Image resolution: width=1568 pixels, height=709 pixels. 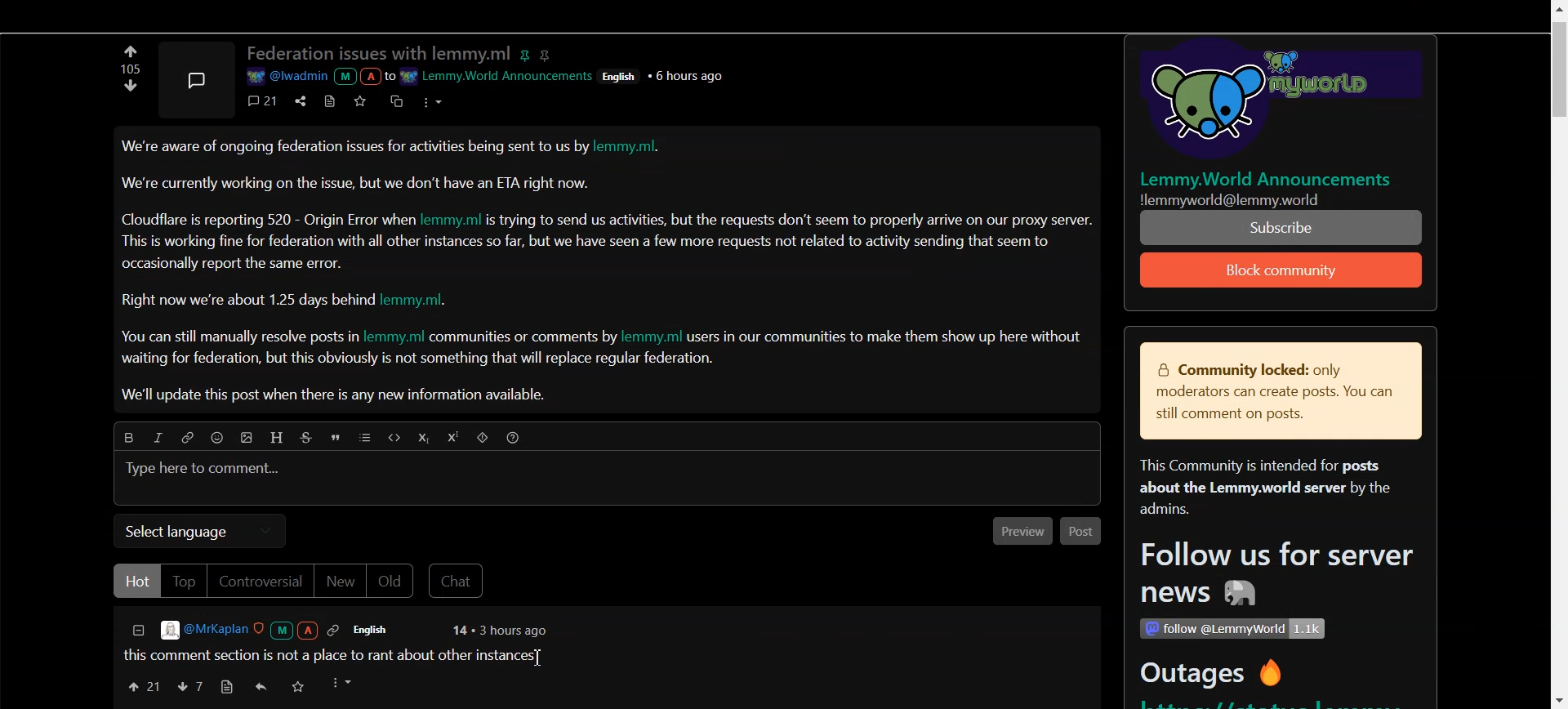 What do you see at coordinates (250, 439) in the screenshot?
I see `Upload picture` at bounding box center [250, 439].